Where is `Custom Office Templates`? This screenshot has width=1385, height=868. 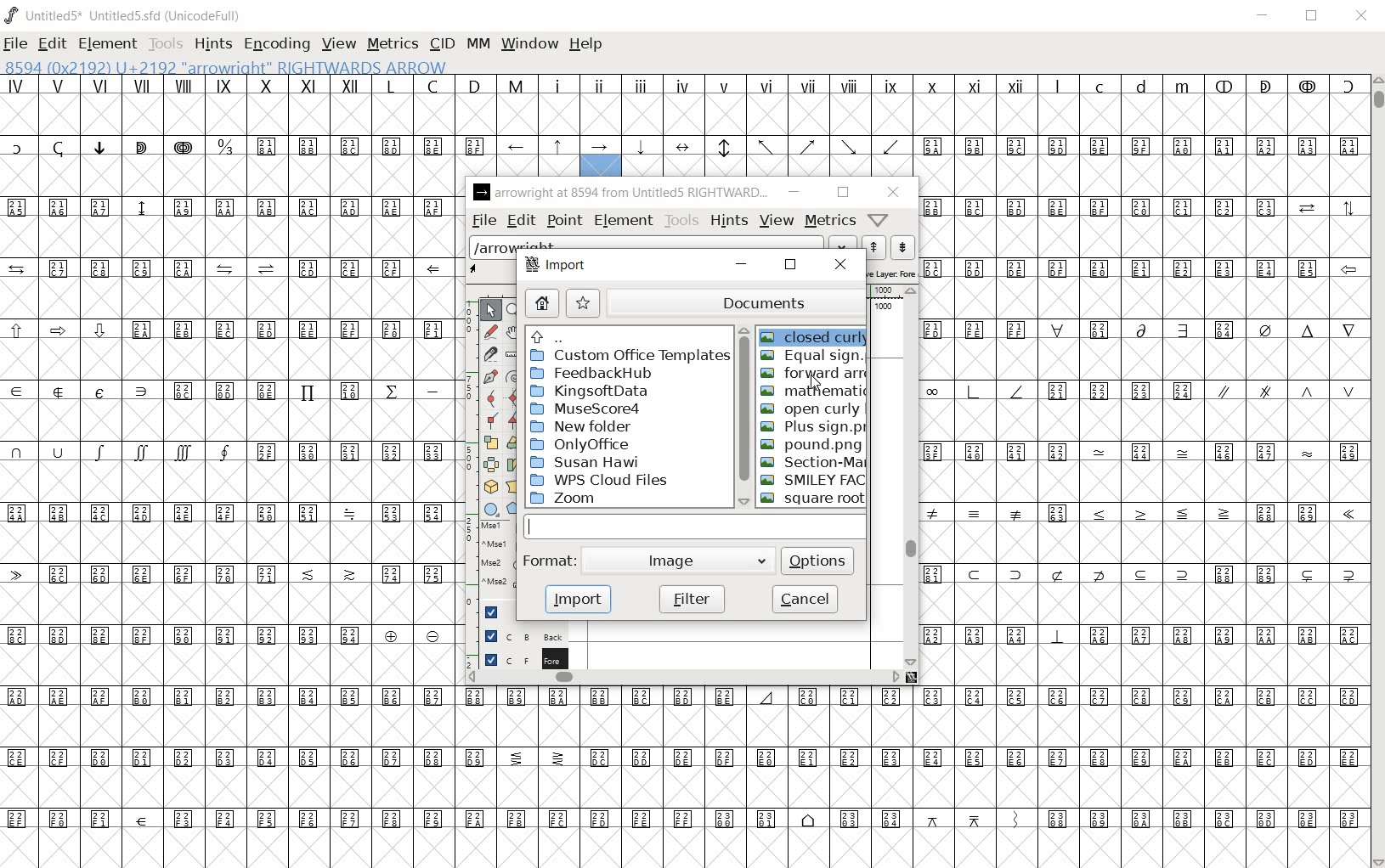 Custom Office Templates is located at coordinates (628, 356).